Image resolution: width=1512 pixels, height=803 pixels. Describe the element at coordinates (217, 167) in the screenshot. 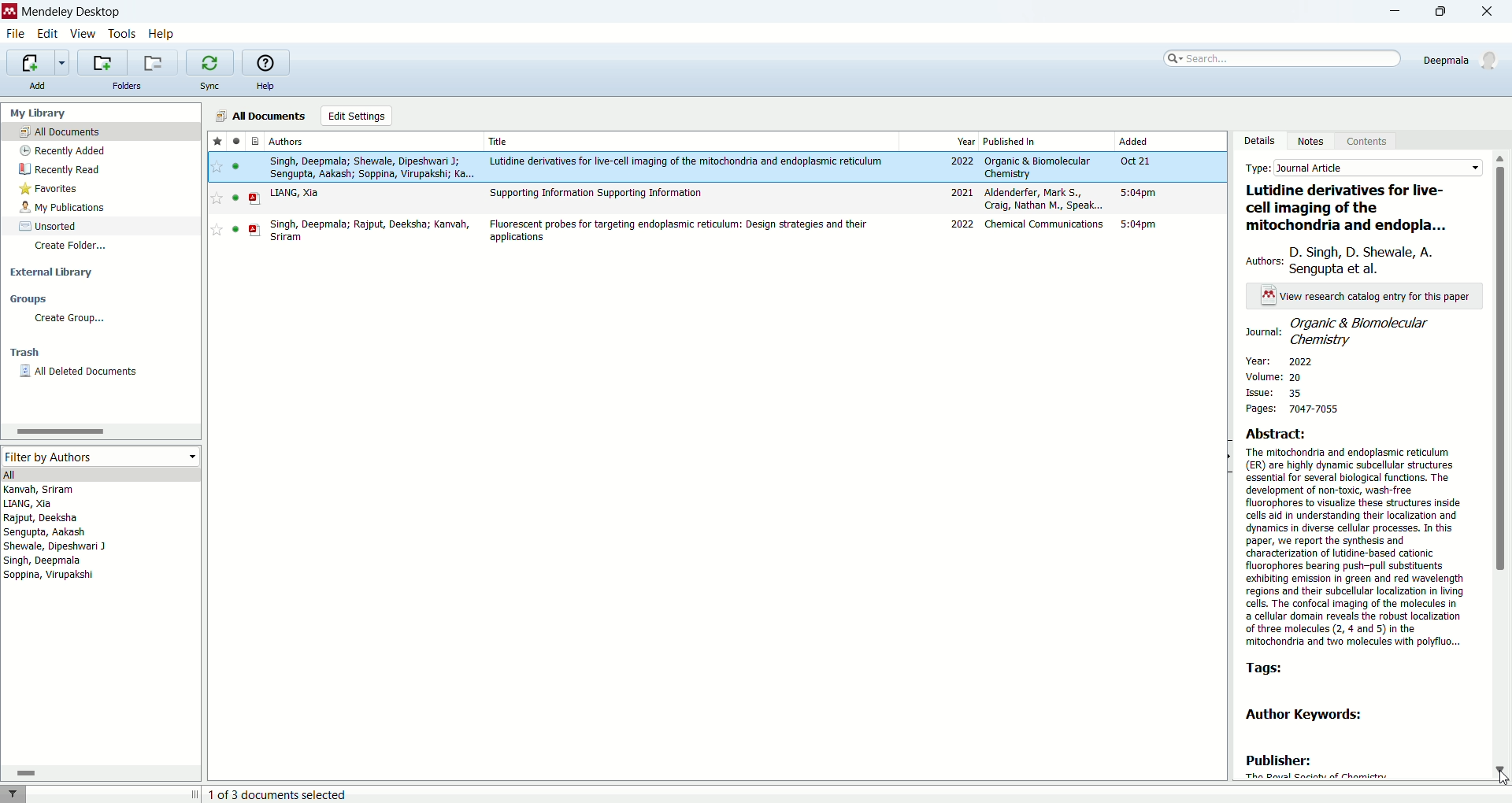

I see `favorite` at that location.